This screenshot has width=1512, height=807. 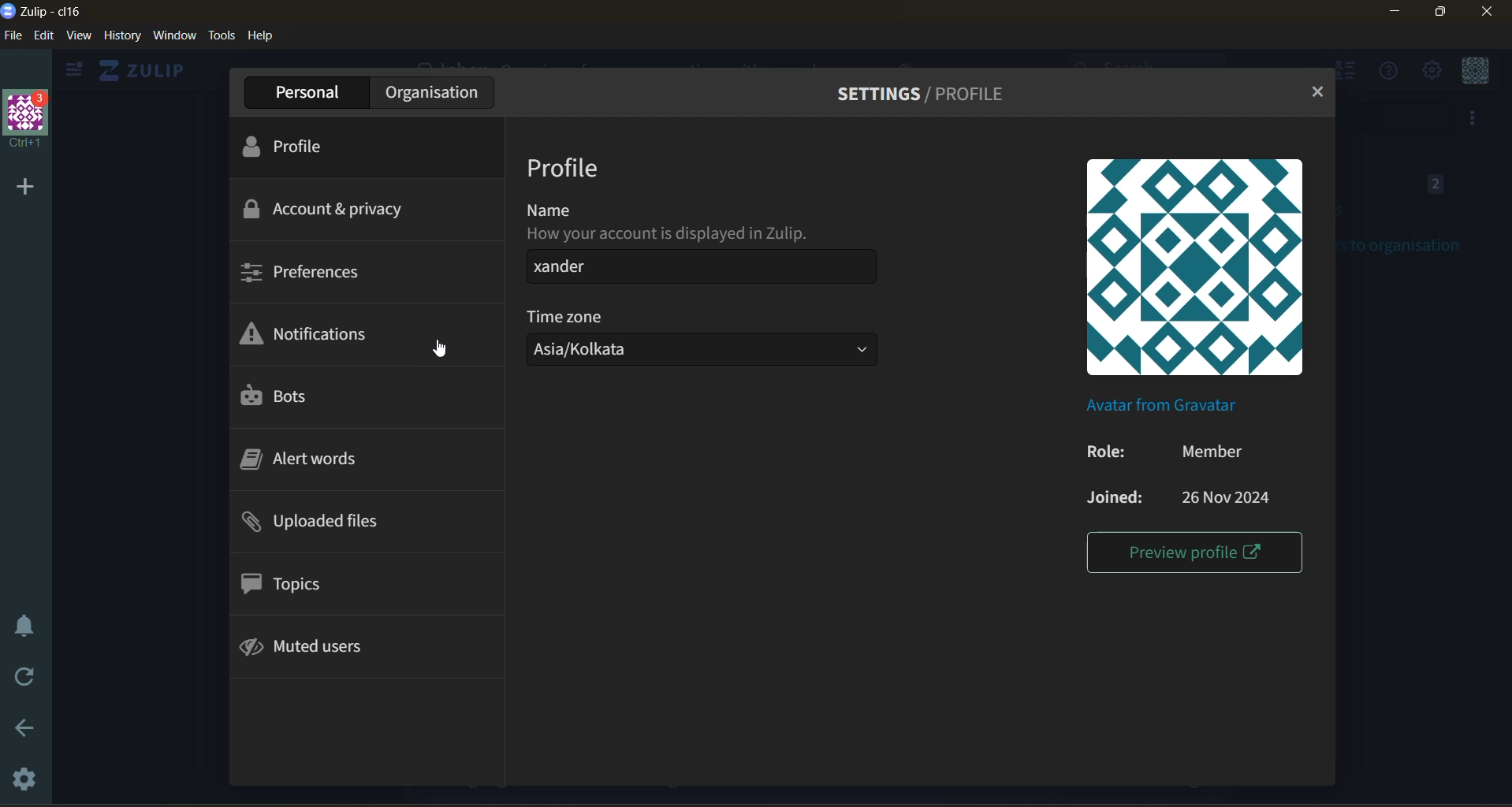 I want to click on history, so click(x=122, y=35).